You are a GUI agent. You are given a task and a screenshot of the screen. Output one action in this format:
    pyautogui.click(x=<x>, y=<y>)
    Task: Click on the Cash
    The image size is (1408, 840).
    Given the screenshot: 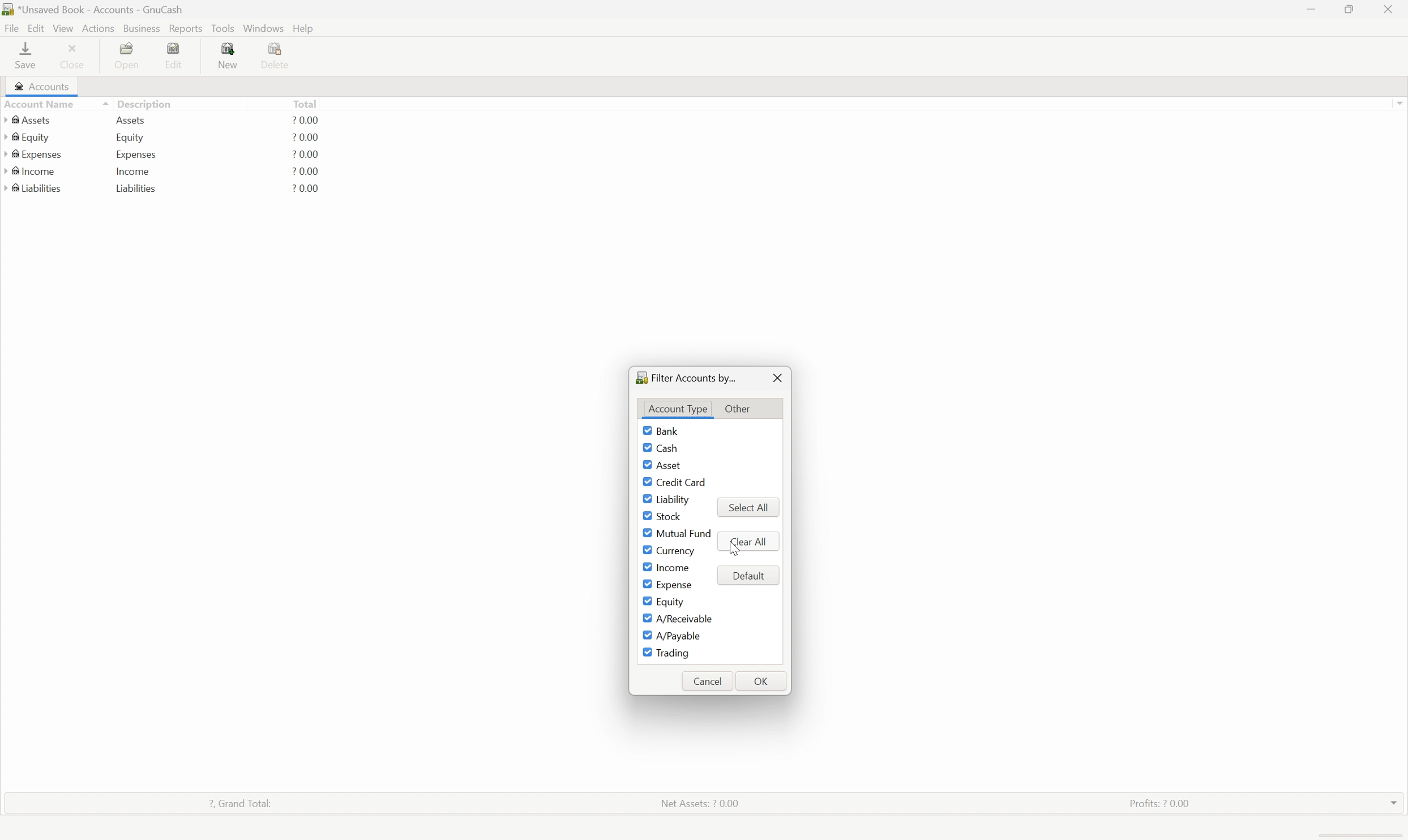 What is the action you would take?
    pyautogui.click(x=670, y=447)
    